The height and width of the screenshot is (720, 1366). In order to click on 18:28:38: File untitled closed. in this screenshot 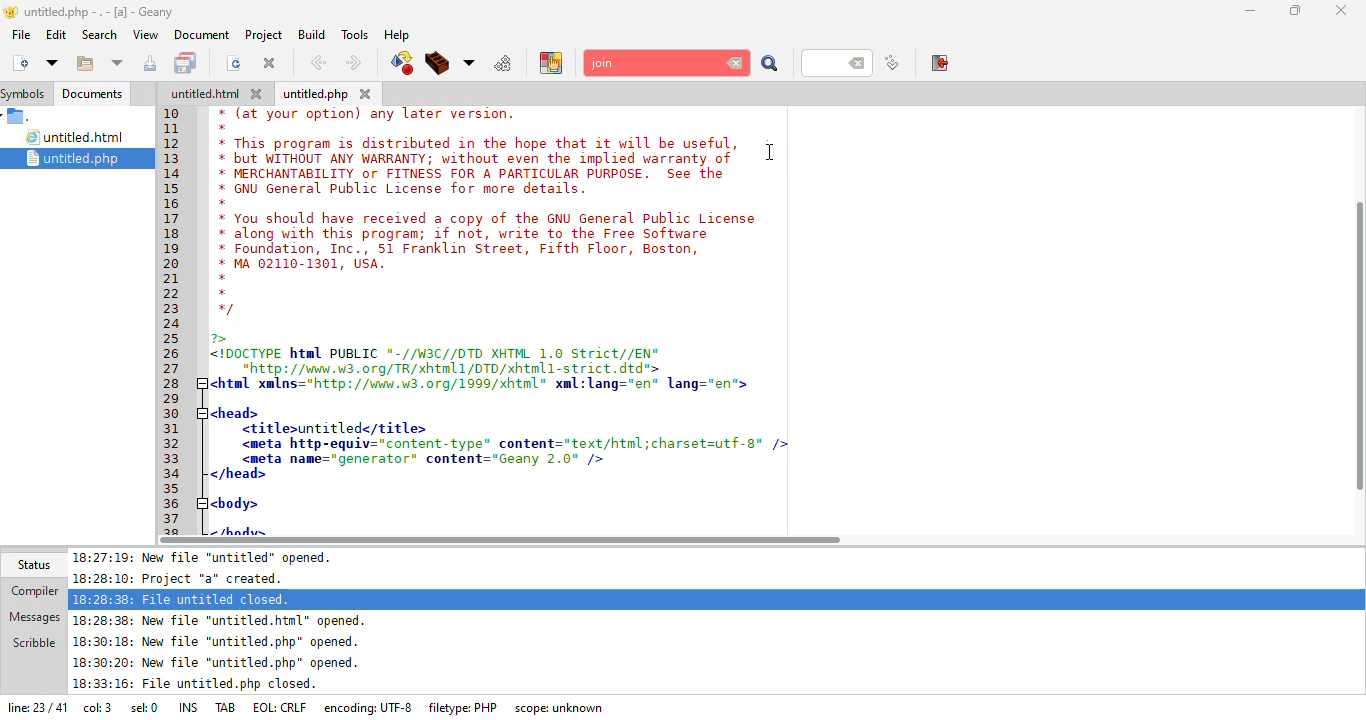, I will do `click(183, 598)`.